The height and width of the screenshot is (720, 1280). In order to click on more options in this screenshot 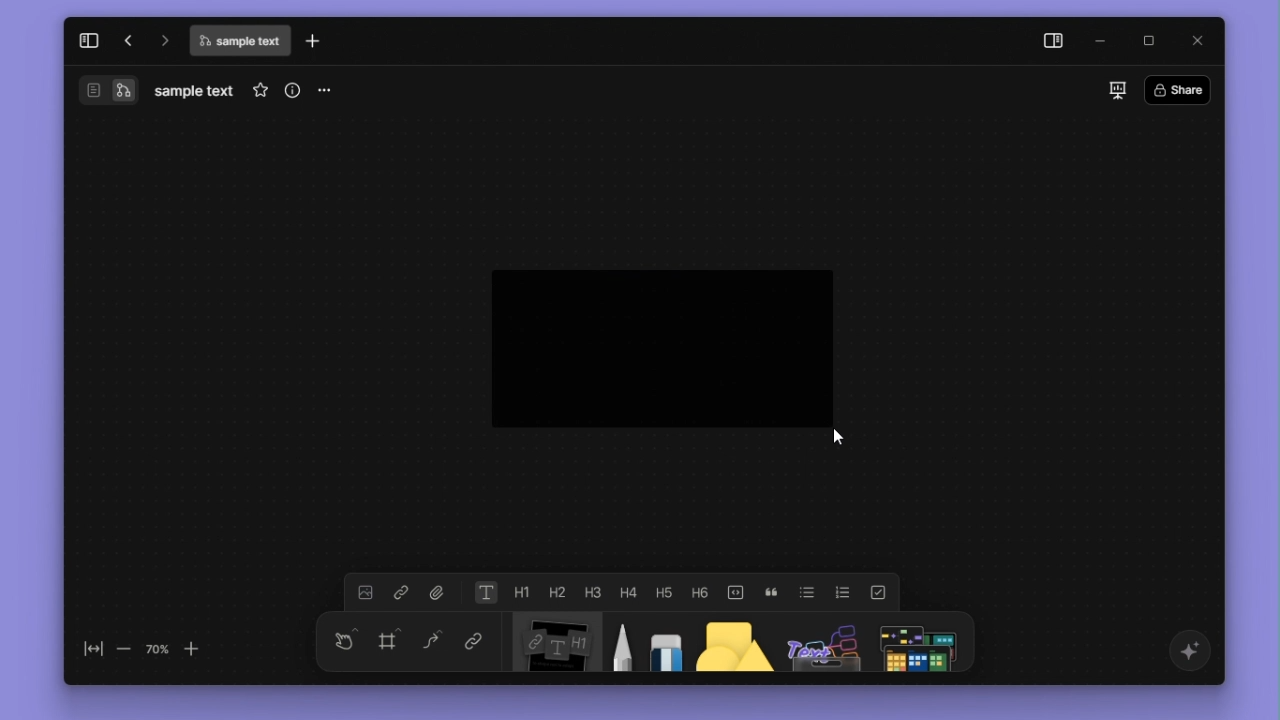, I will do `click(328, 91)`.